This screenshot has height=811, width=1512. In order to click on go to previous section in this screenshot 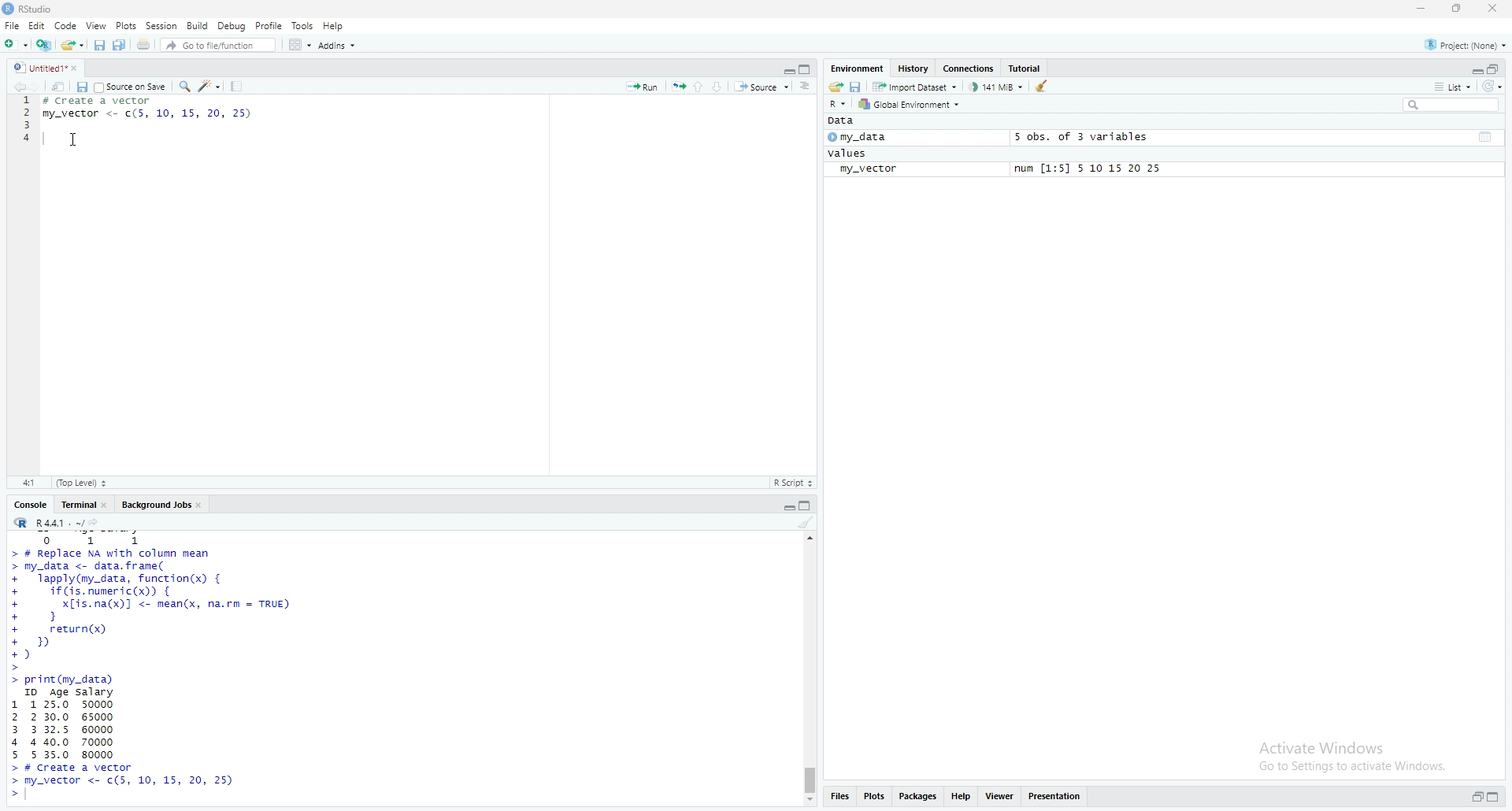, I will do `click(698, 86)`.